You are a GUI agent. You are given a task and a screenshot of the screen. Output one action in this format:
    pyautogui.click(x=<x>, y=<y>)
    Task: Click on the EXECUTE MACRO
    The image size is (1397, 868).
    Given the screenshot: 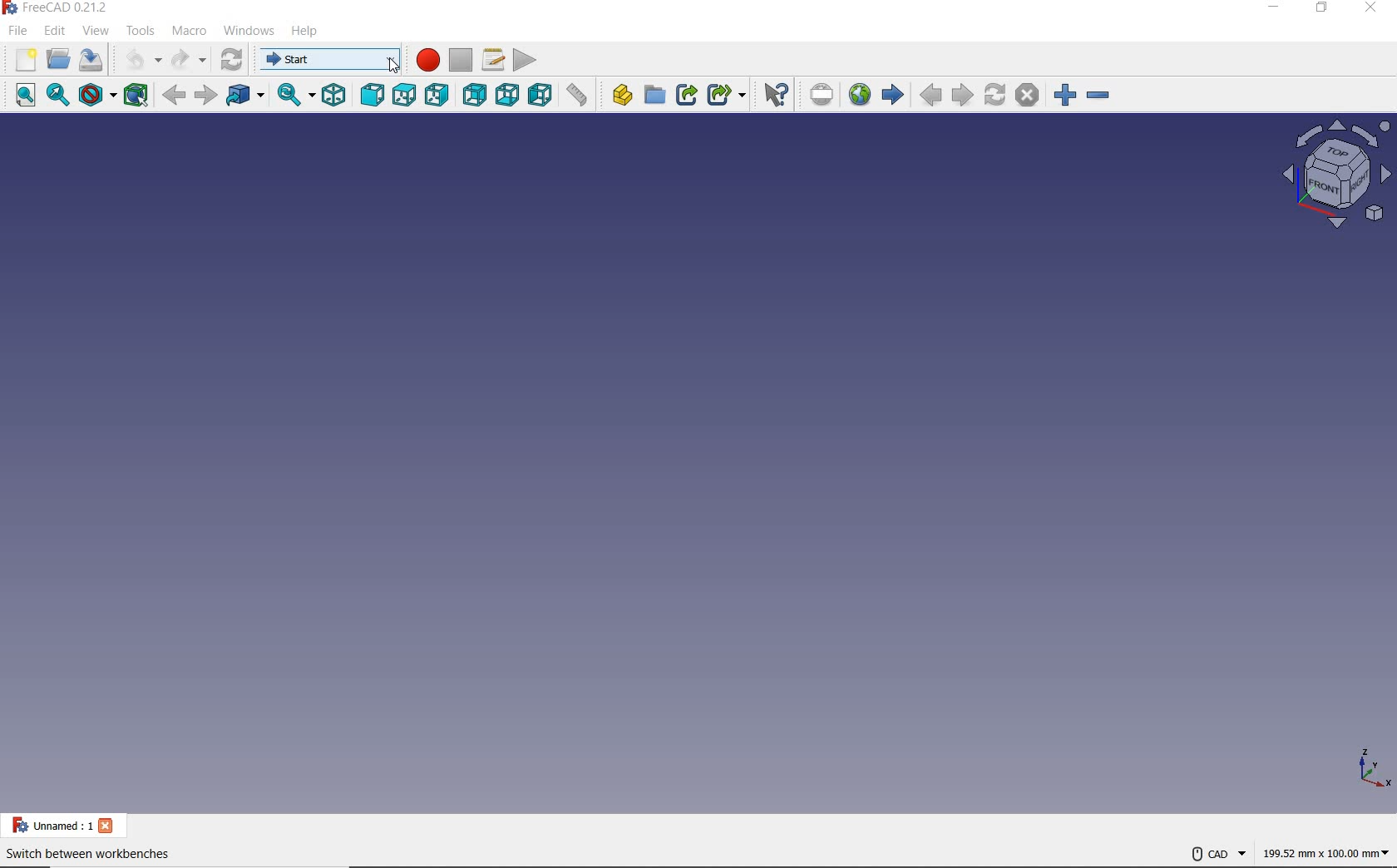 What is the action you would take?
    pyautogui.click(x=526, y=58)
    